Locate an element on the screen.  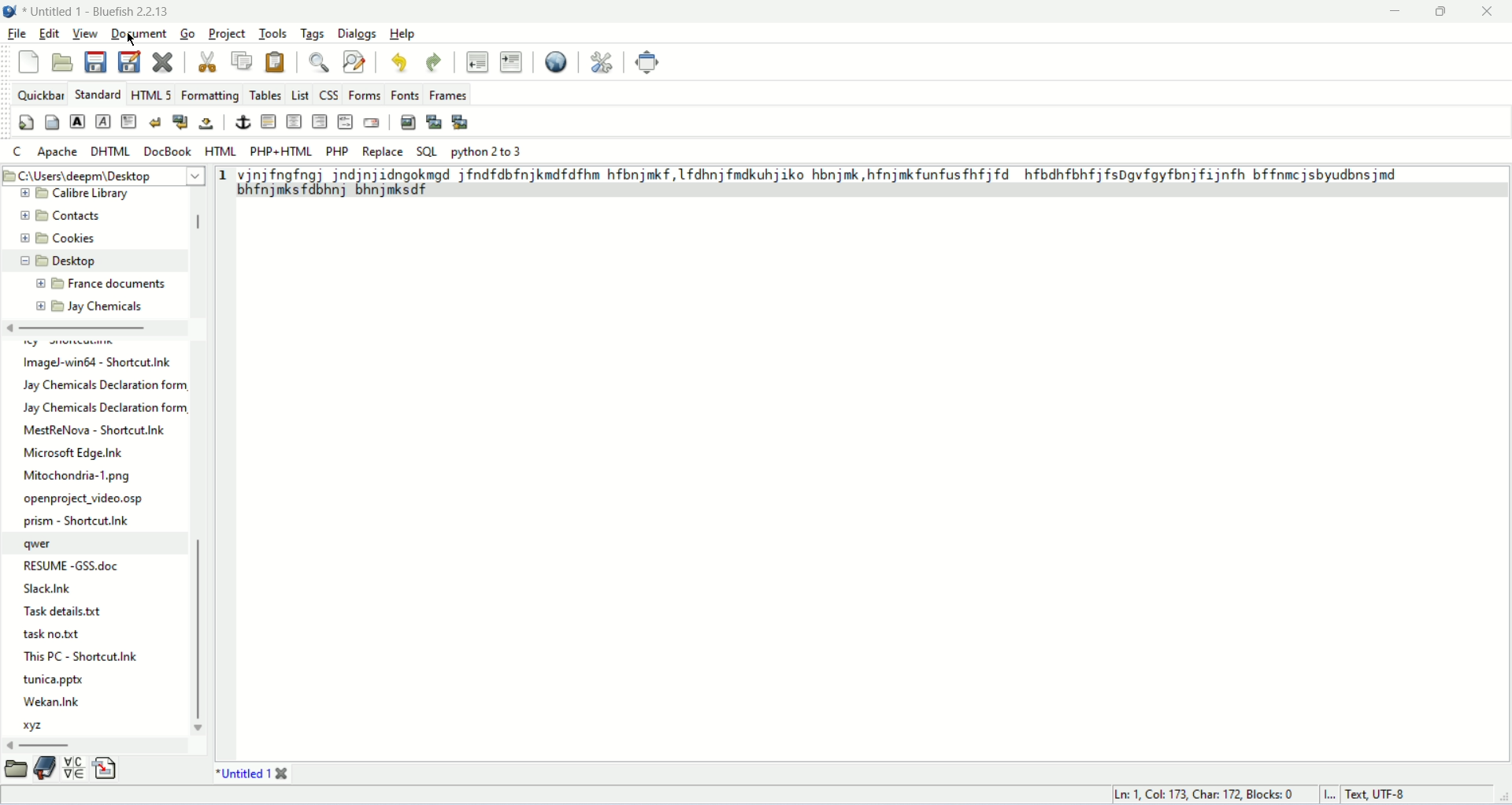
Right justify is located at coordinates (318, 121).